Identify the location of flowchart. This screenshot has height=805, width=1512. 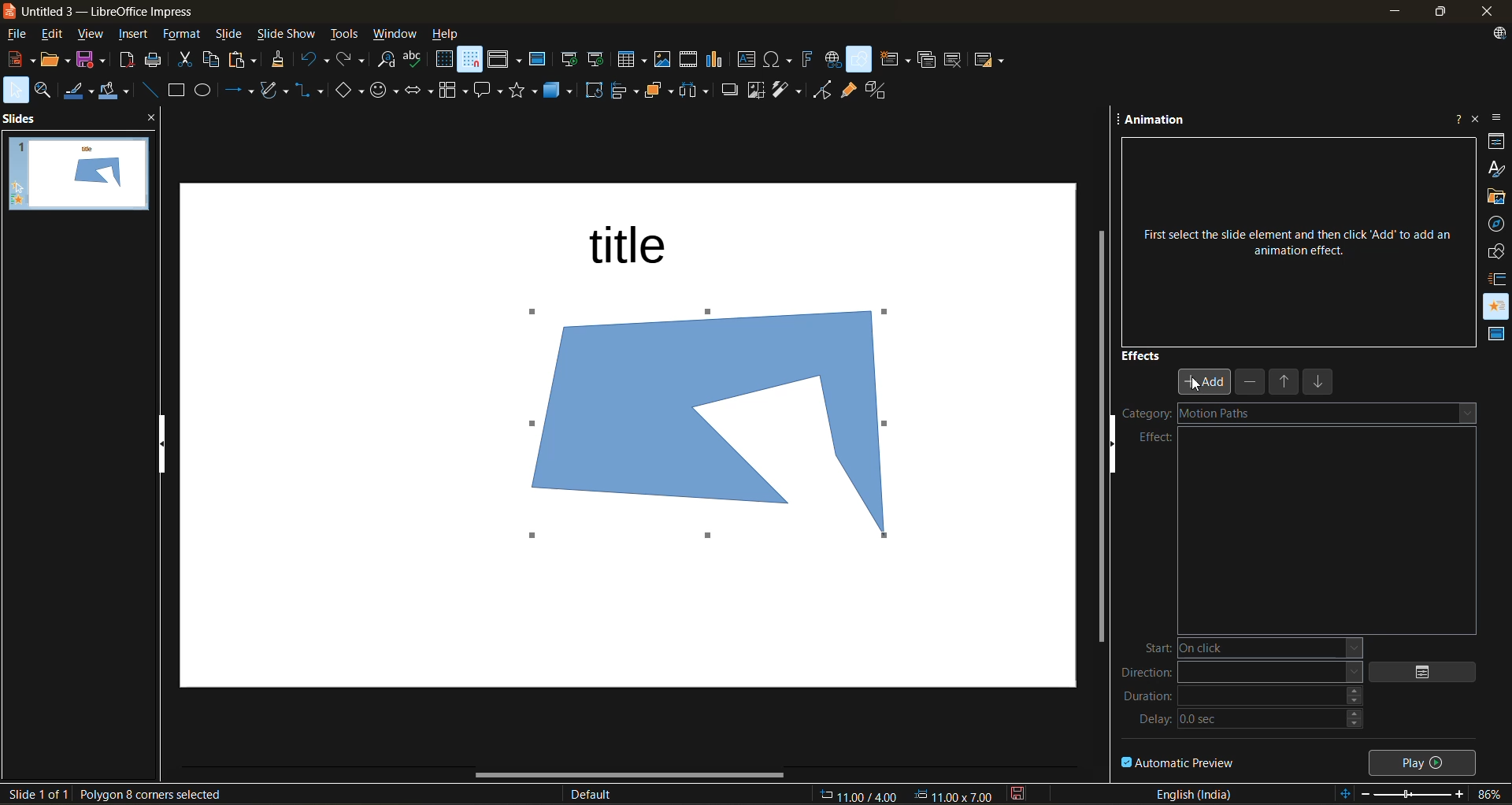
(454, 91).